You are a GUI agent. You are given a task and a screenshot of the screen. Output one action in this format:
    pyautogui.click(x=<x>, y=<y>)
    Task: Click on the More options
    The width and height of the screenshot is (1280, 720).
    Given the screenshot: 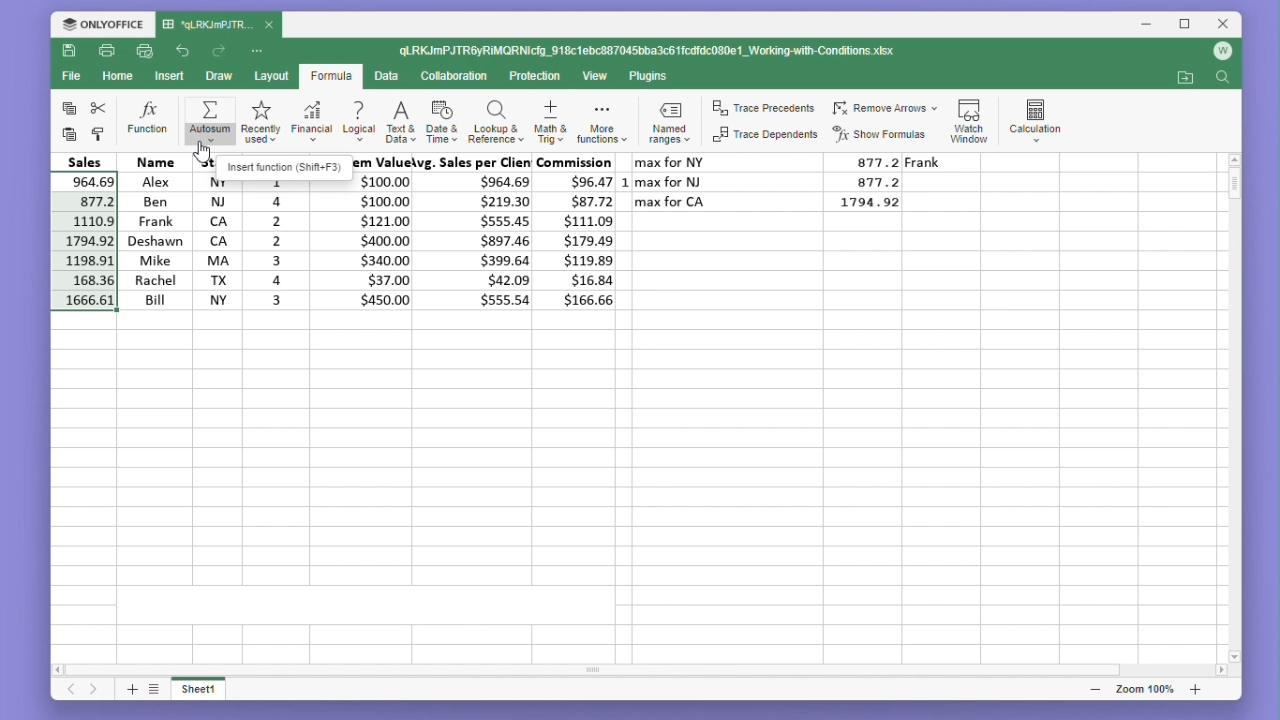 What is the action you would take?
    pyautogui.click(x=259, y=51)
    